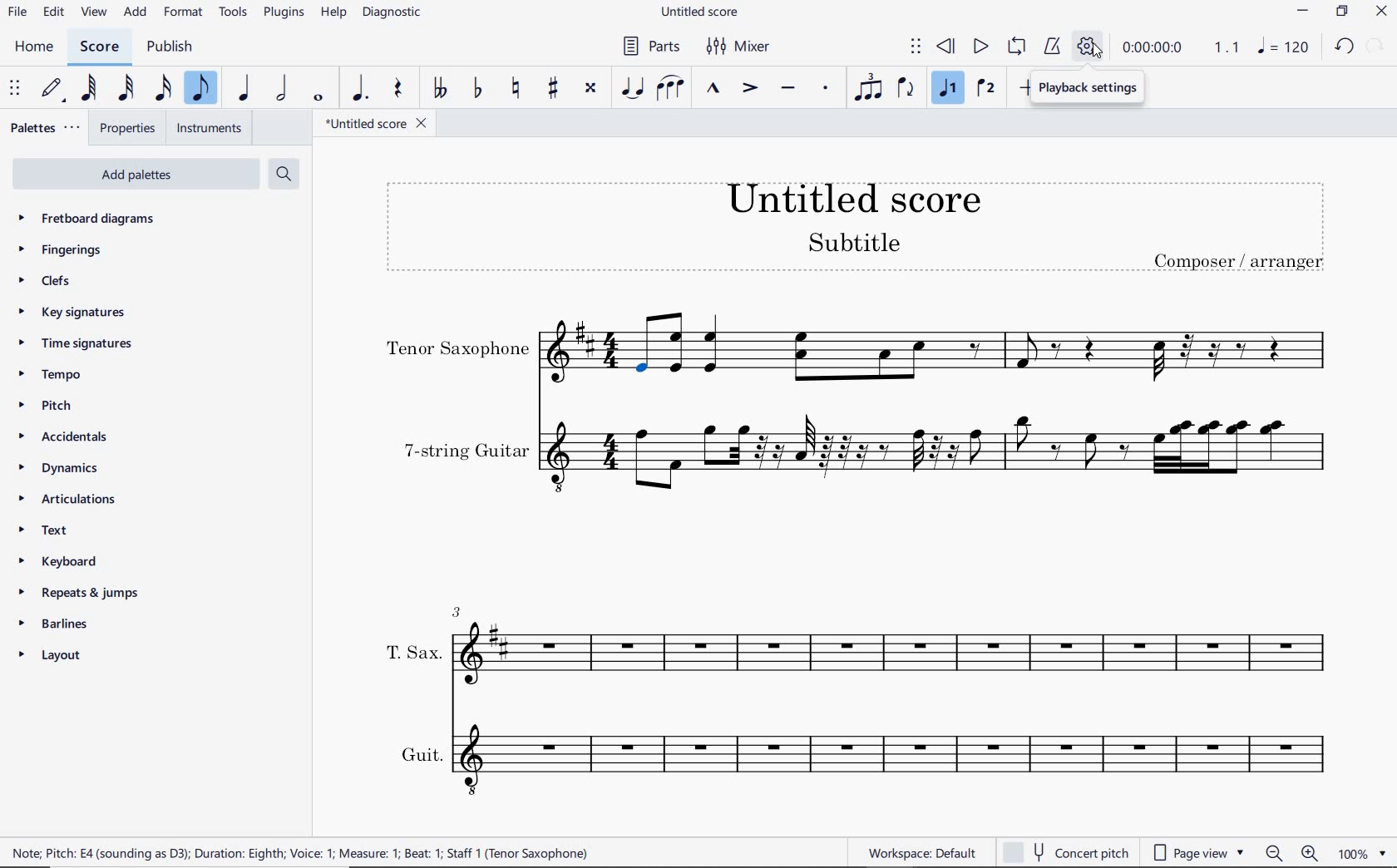  I want to click on DYNAMICS, so click(55, 468).